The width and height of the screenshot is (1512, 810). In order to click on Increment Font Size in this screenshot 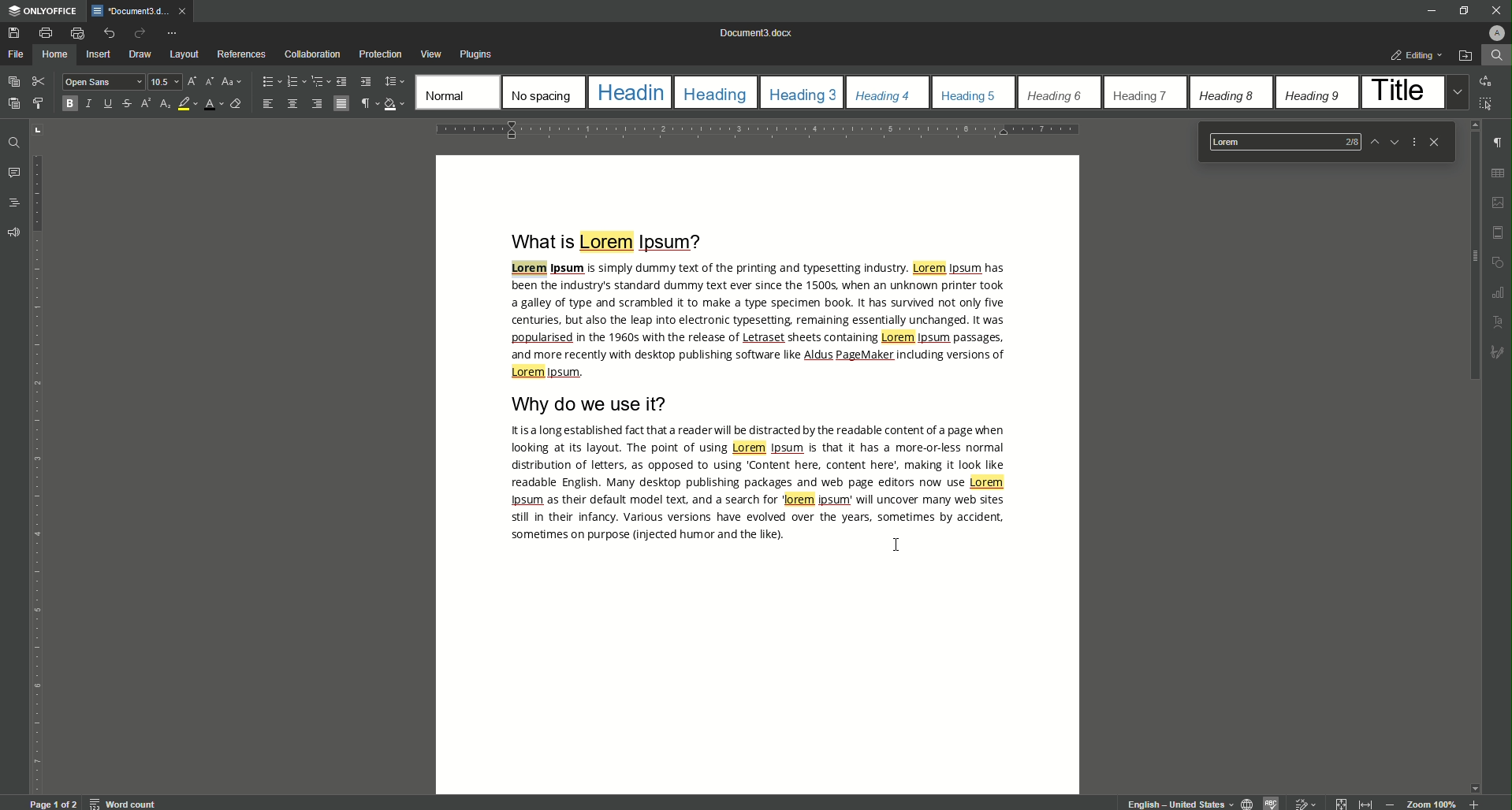, I will do `click(190, 82)`.